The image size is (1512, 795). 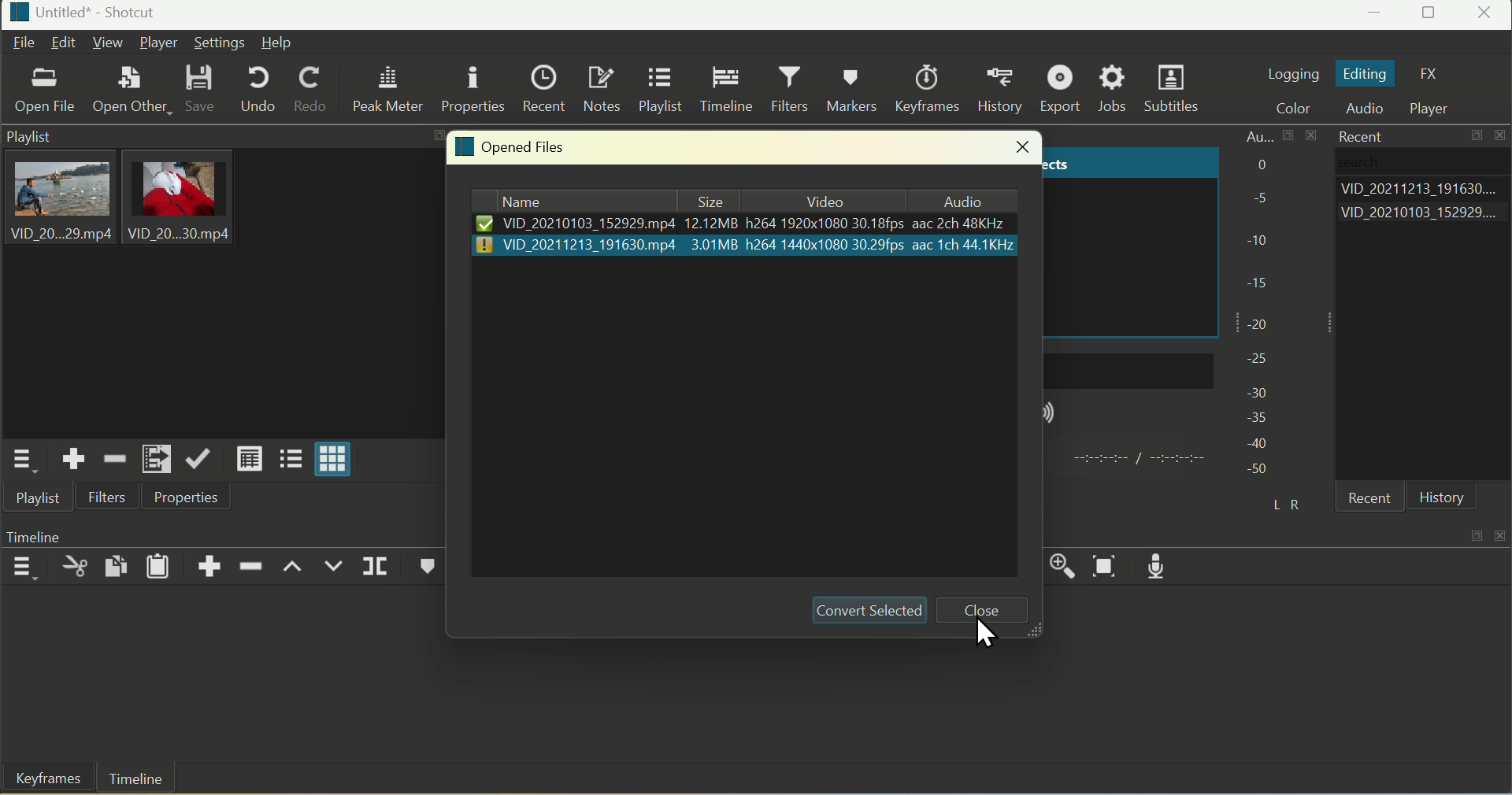 What do you see at coordinates (1503, 136) in the screenshot?
I see `close` at bounding box center [1503, 136].